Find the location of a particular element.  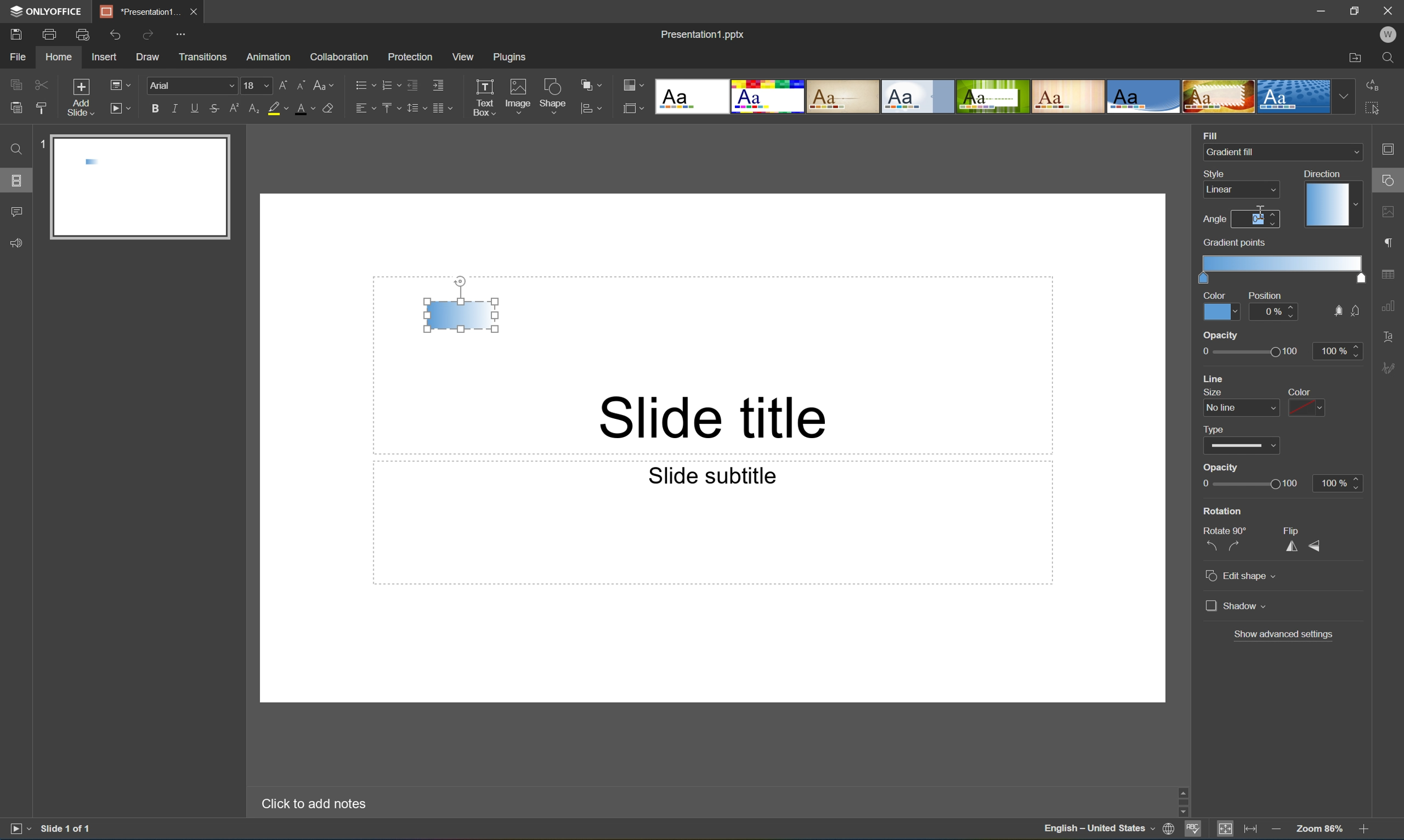

Insert columns is located at coordinates (442, 108).